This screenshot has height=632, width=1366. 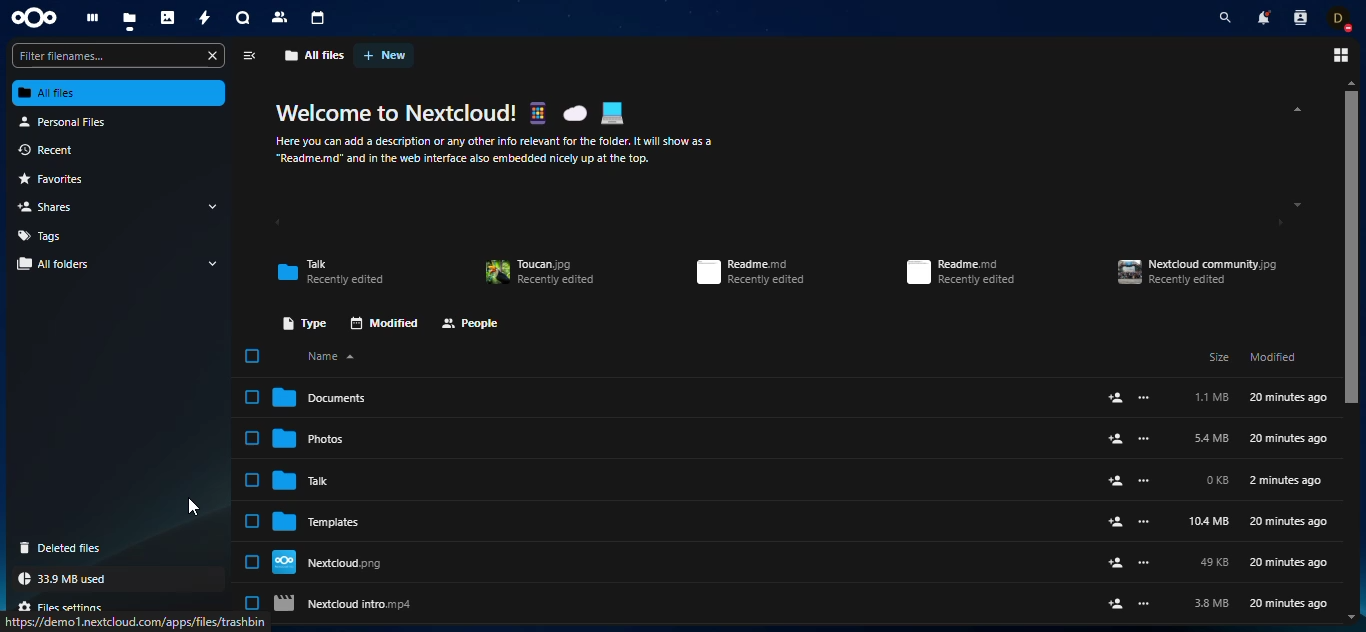 I want to click on Readme.md Recently Edited, so click(x=964, y=272).